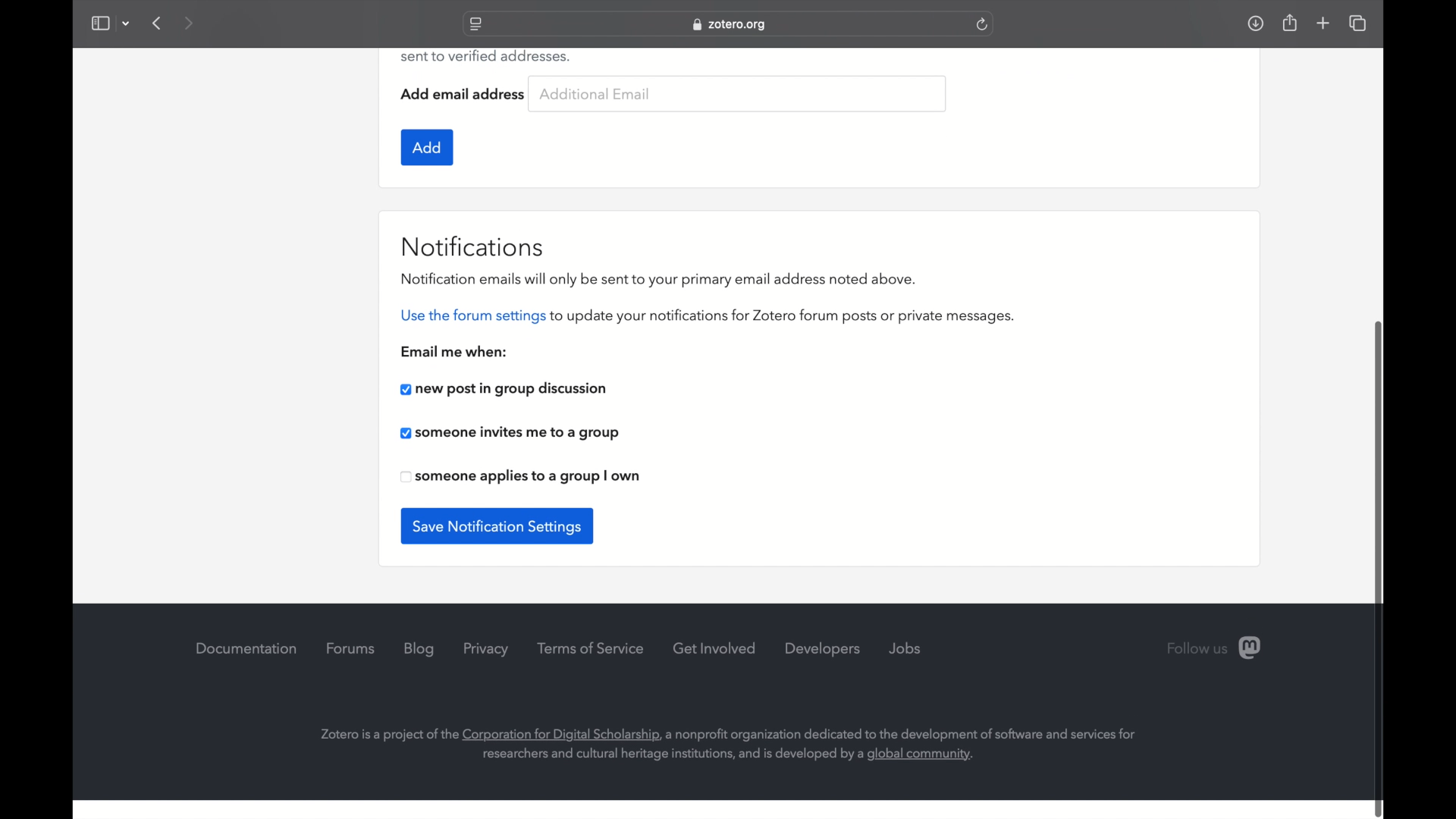  I want to click on show sidebar, so click(99, 23).